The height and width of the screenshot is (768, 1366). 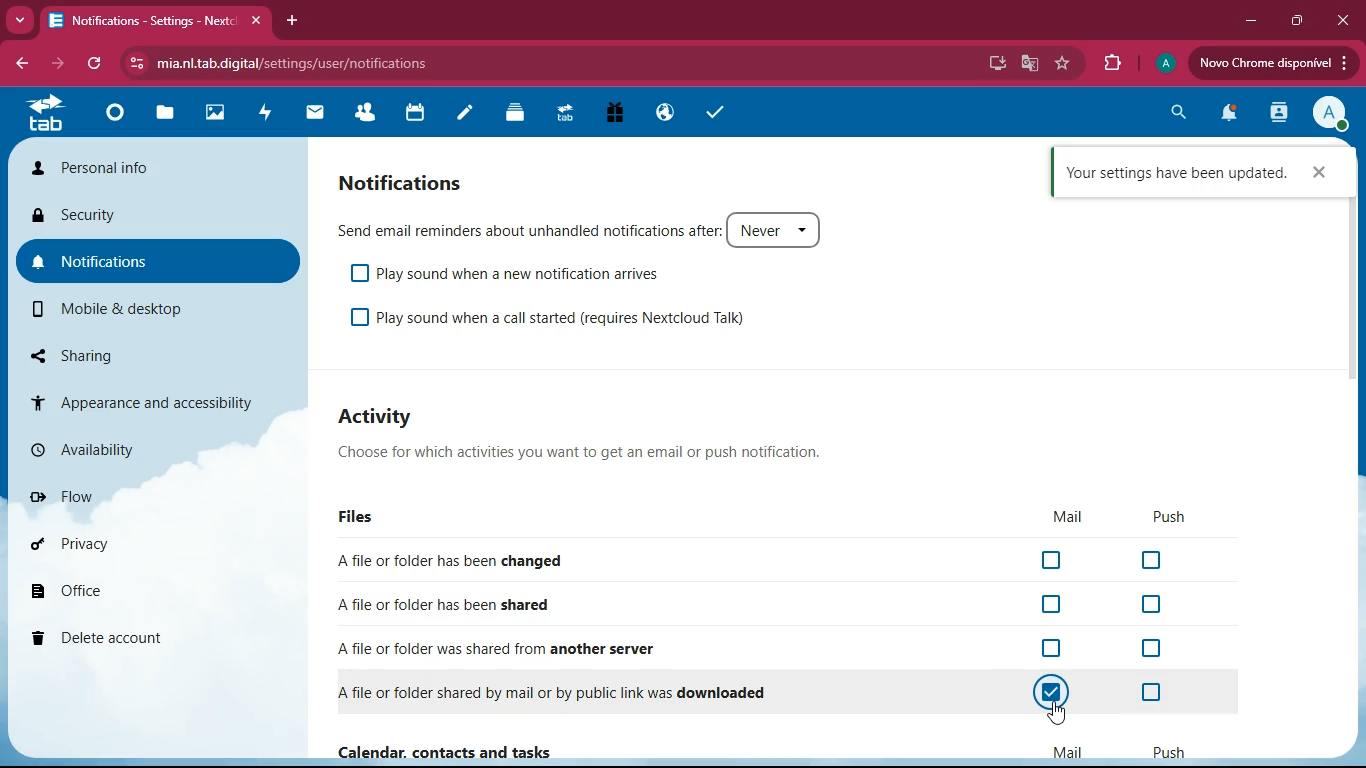 What do you see at coordinates (23, 66) in the screenshot?
I see `back` at bounding box center [23, 66].